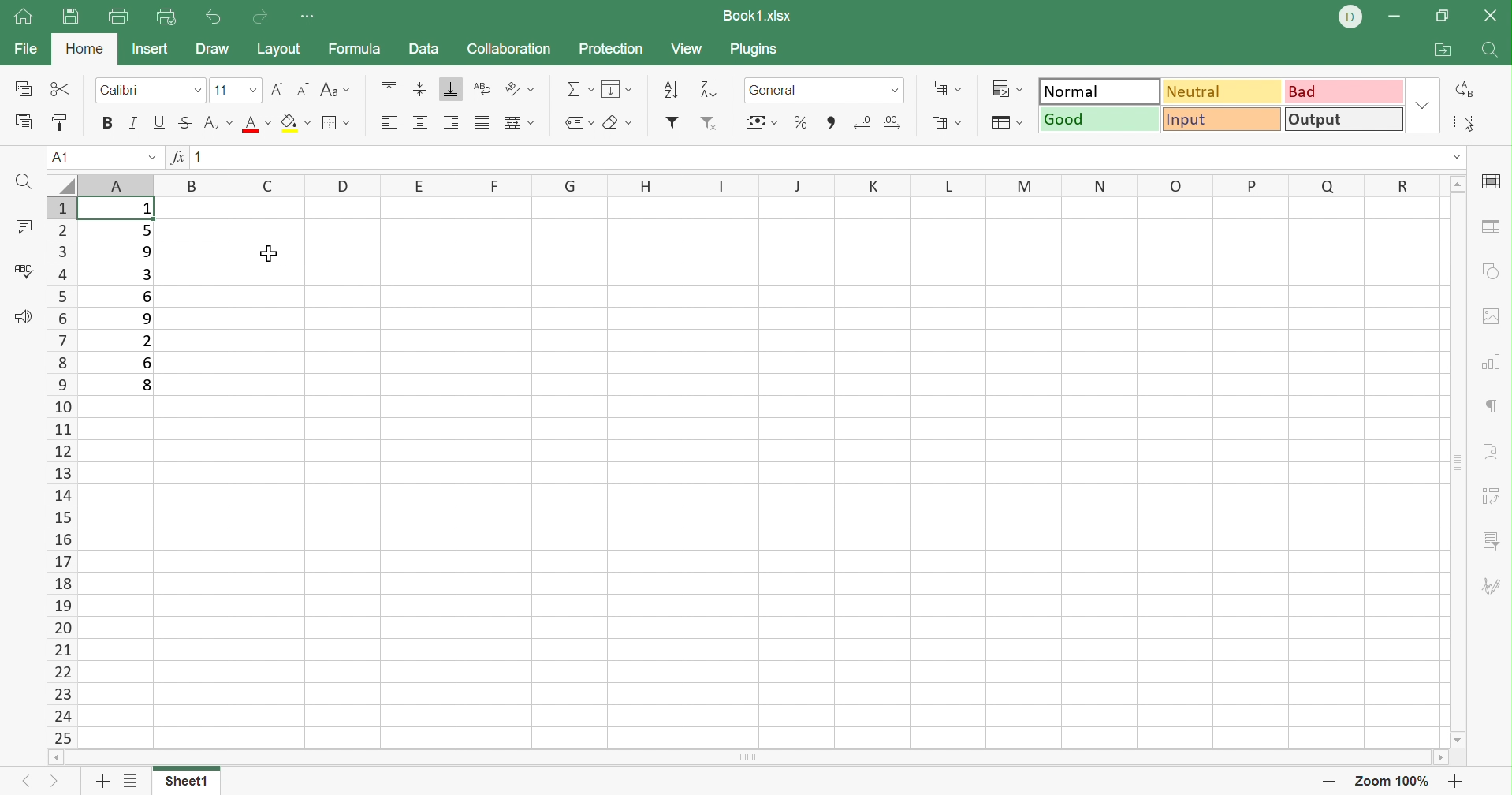  I want to click on Format as table template, so click(1004, 125).